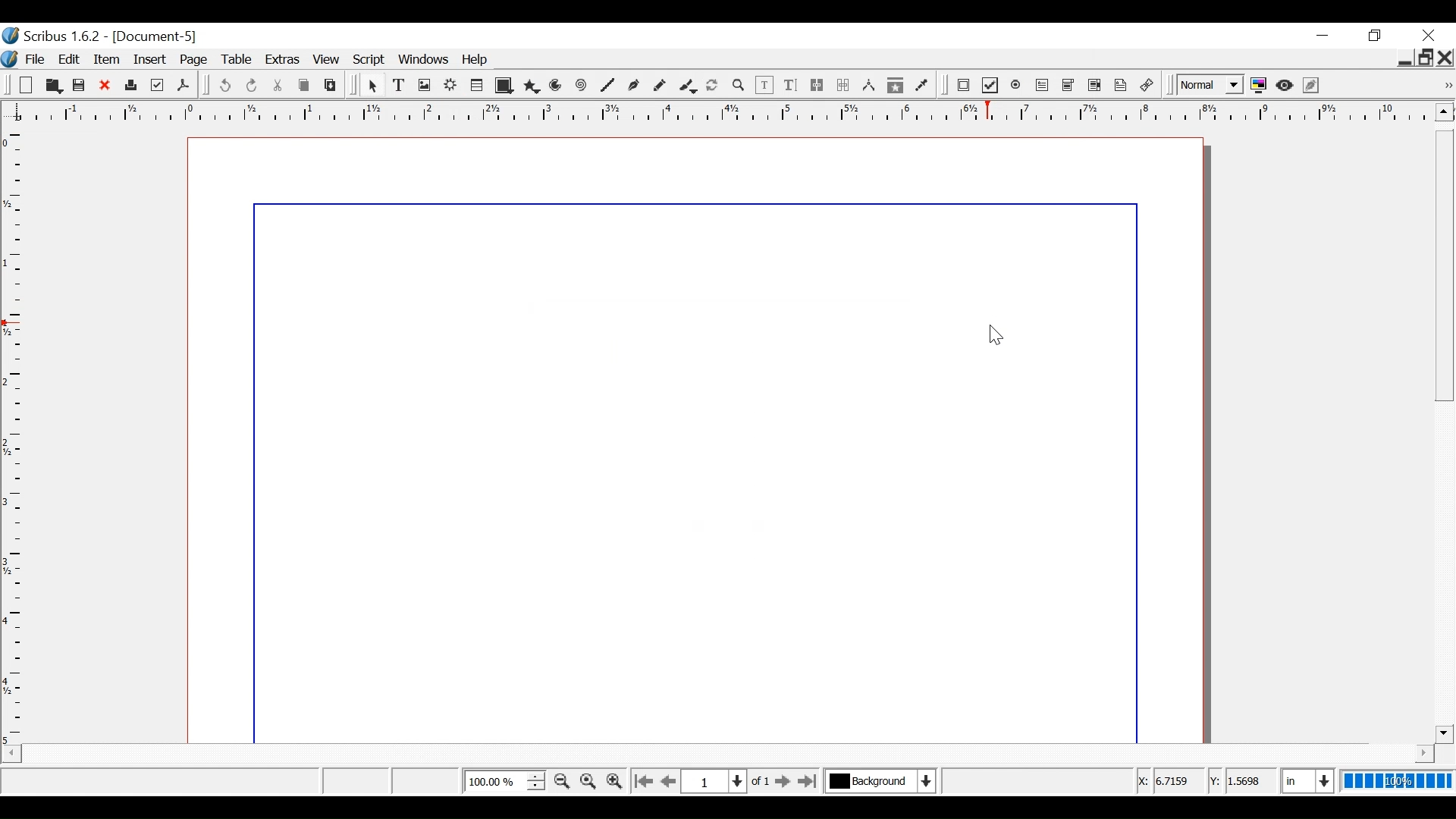 The image size is (1456, 819). I want to click on Freehand line, so click(659, 86).